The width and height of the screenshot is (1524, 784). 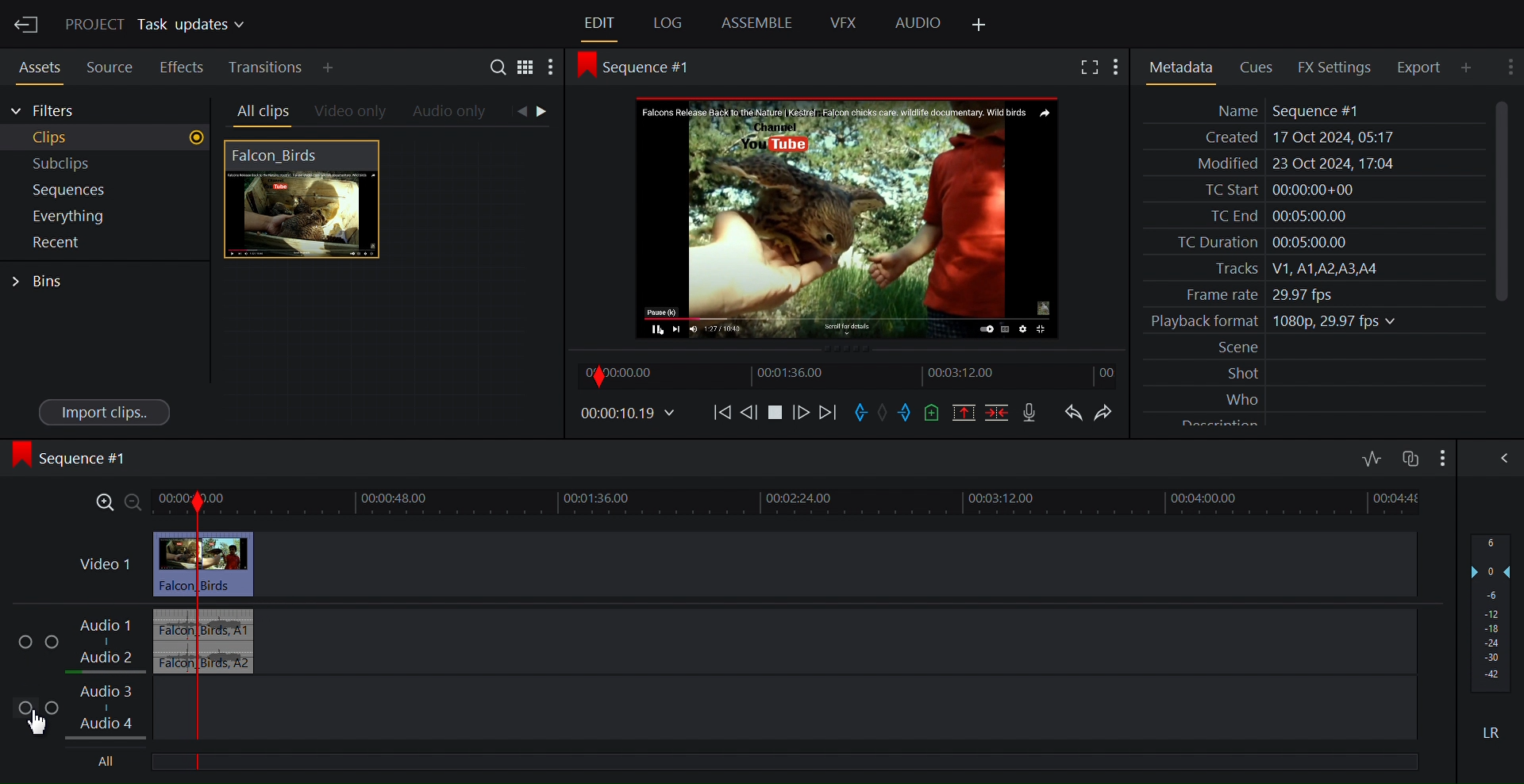 What do you see at coordinates (45, 723) in the screenshot?
I see `Cursor` at bounding box center [45, 723].